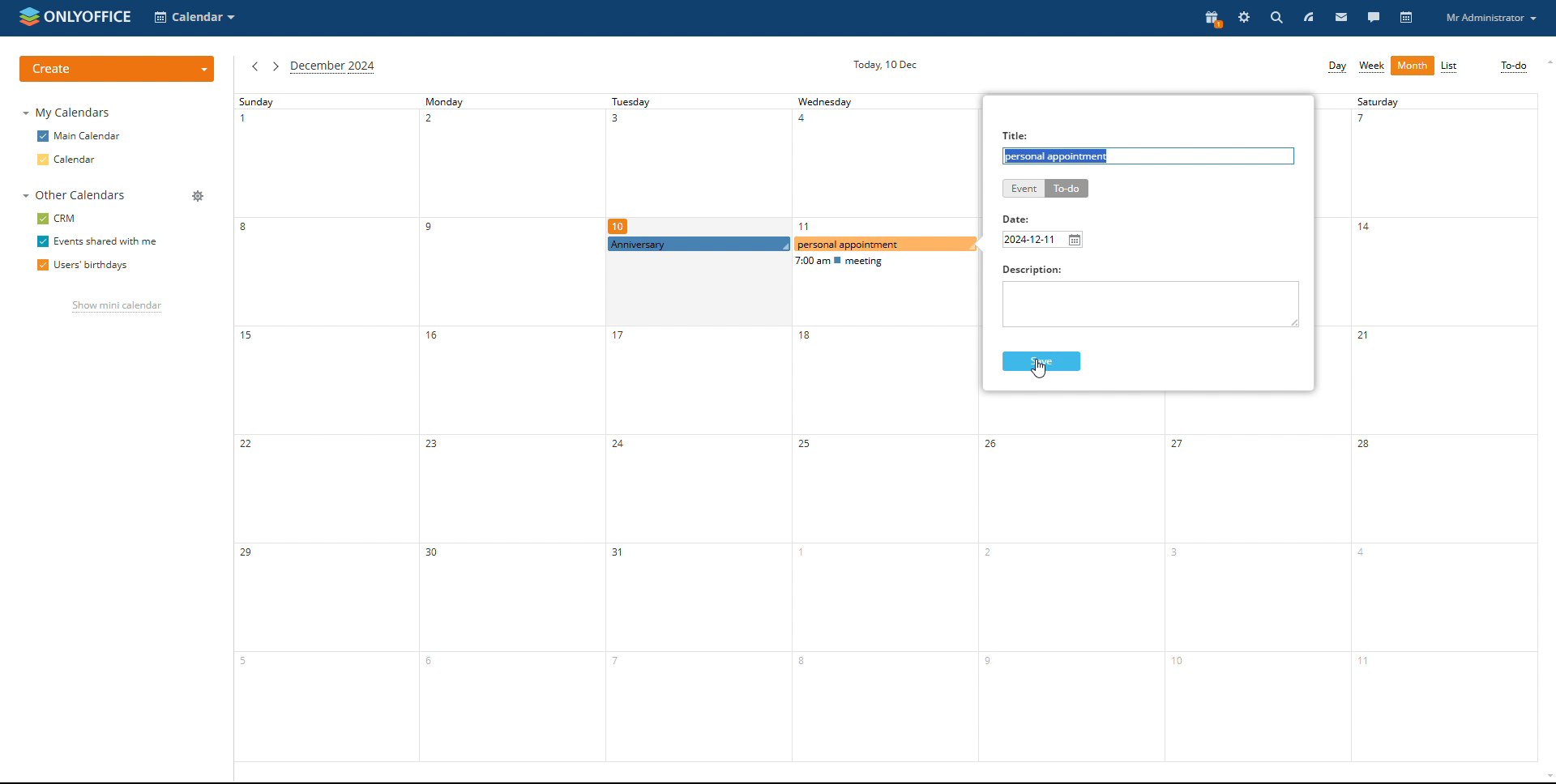  What do you see at coordinates (56, 219) in the screenshot?
I see `crm` at bounding box center [56, 219].